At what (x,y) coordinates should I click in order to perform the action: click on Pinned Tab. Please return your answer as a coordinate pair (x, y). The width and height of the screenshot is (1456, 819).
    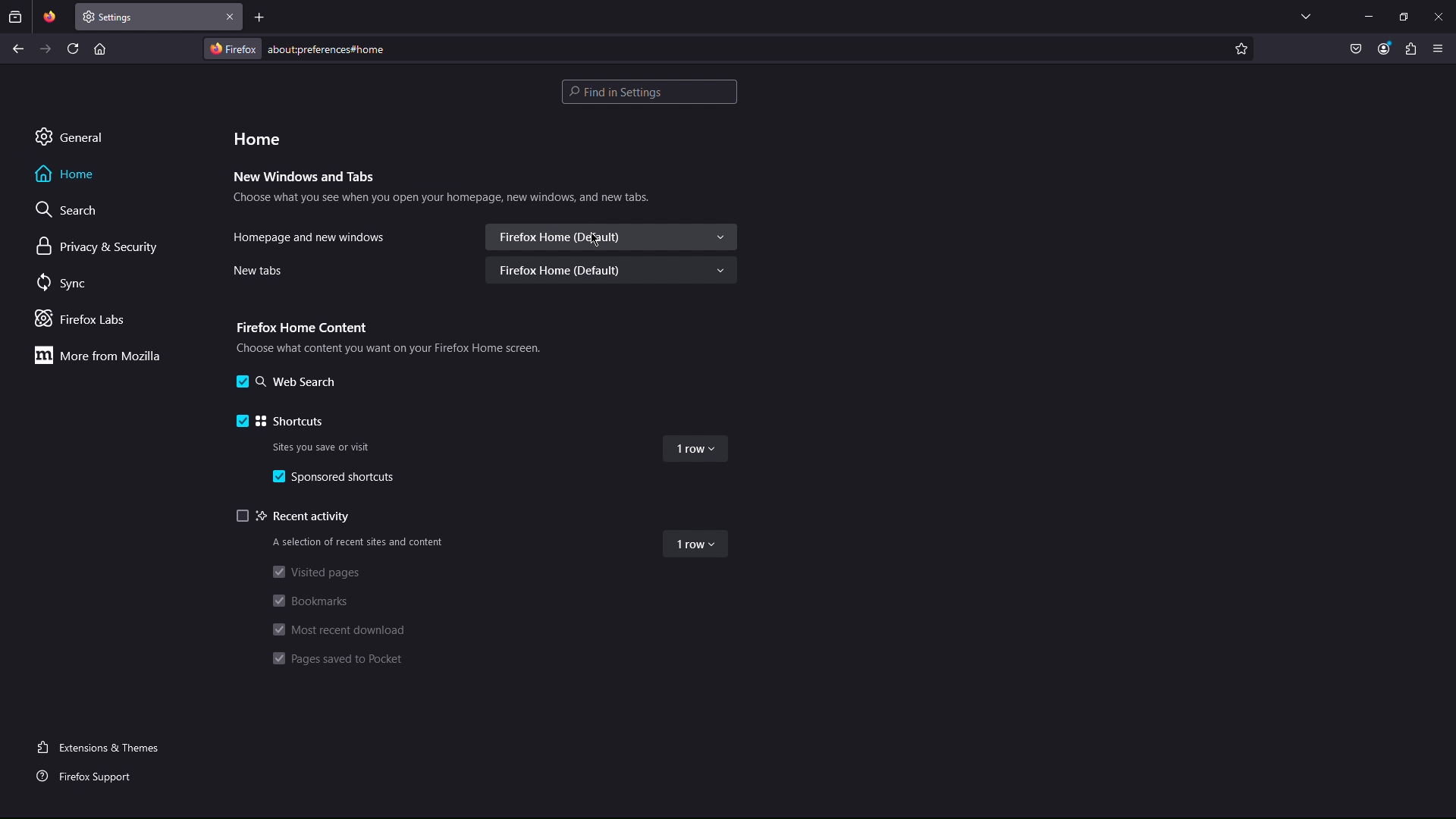
    Looking at the image, I should click on (49, 17).